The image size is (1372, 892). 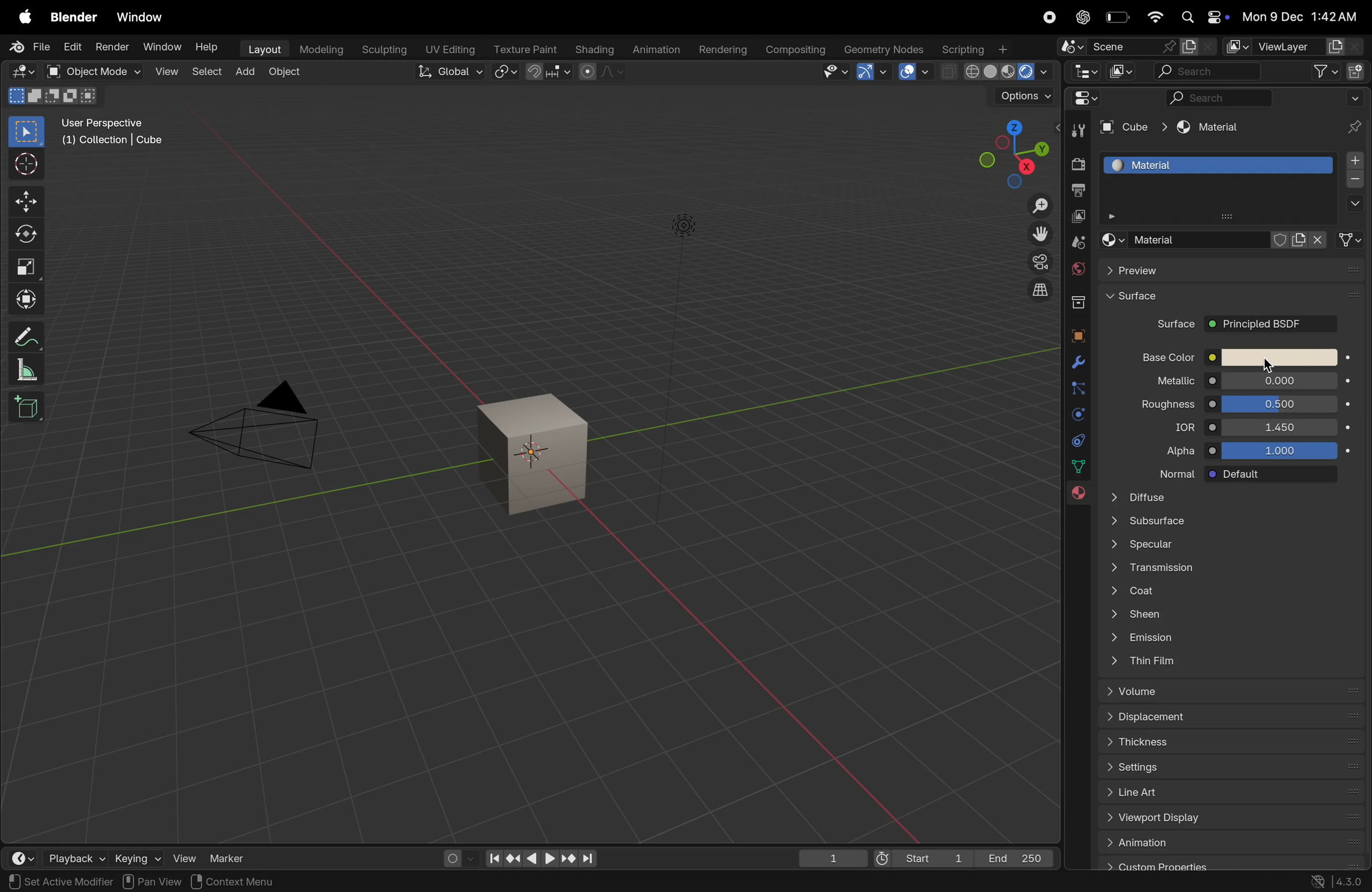 What do you see at coordinates (54, 95) in the screenshot?
I see `mode` at bounding box center [54, 95].